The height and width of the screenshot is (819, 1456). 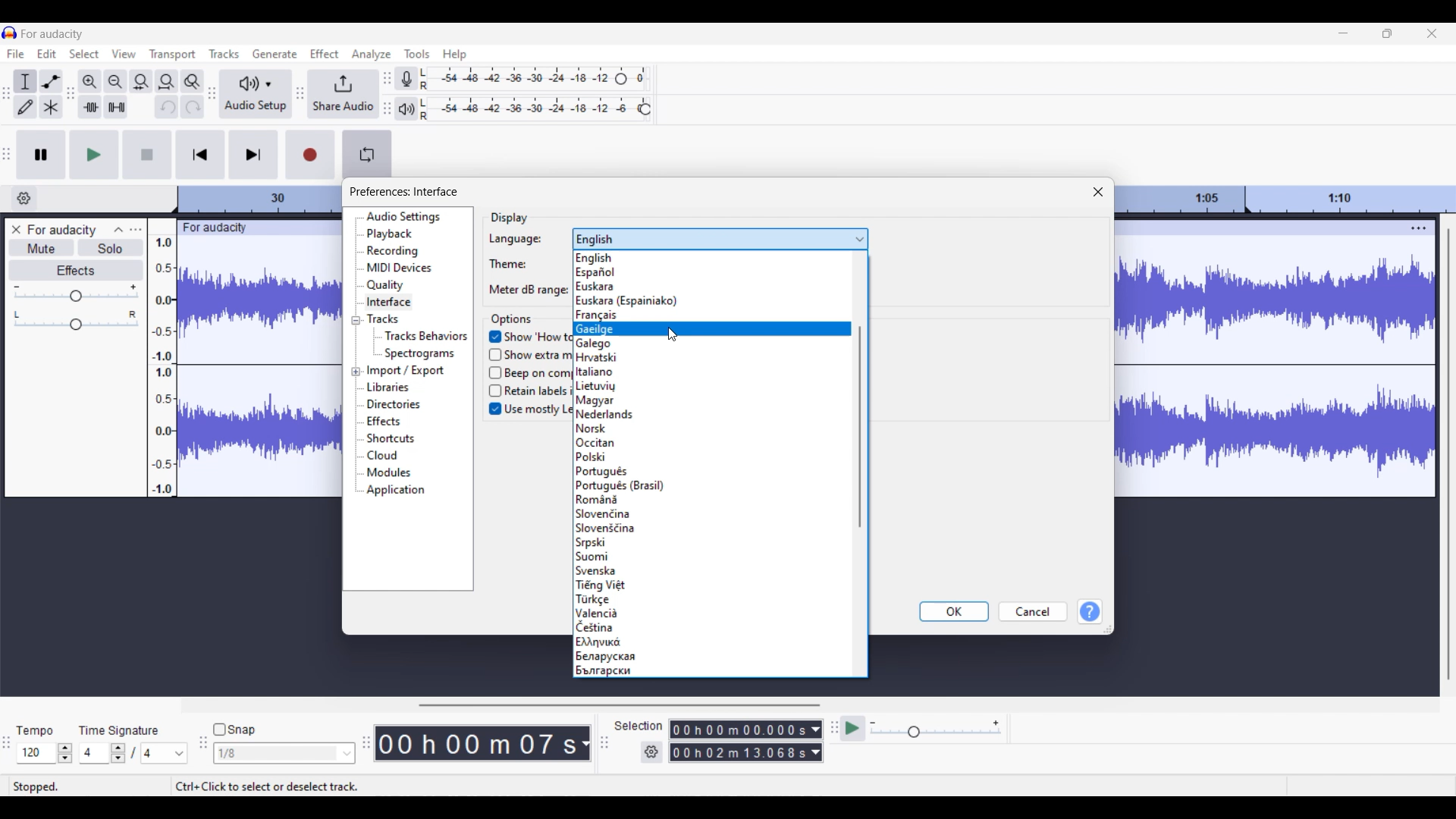 I want to click on Draw tool, so click(x=26, y=106).